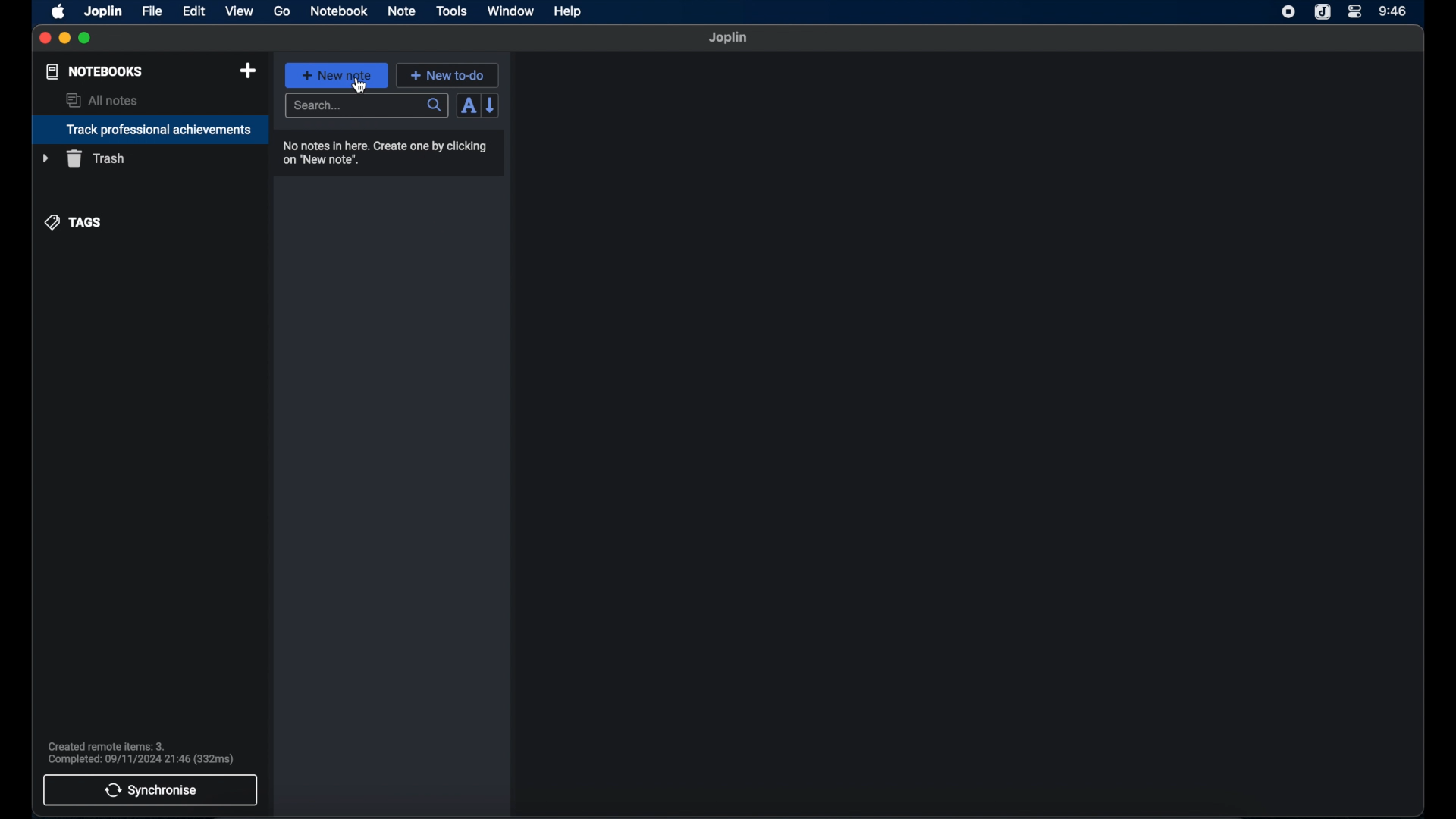 This screenshot has width=1456, height=819. What do you see at coordinates (74, 221) in the screenshot?
I see `tags` at bounding box center [74, 221].